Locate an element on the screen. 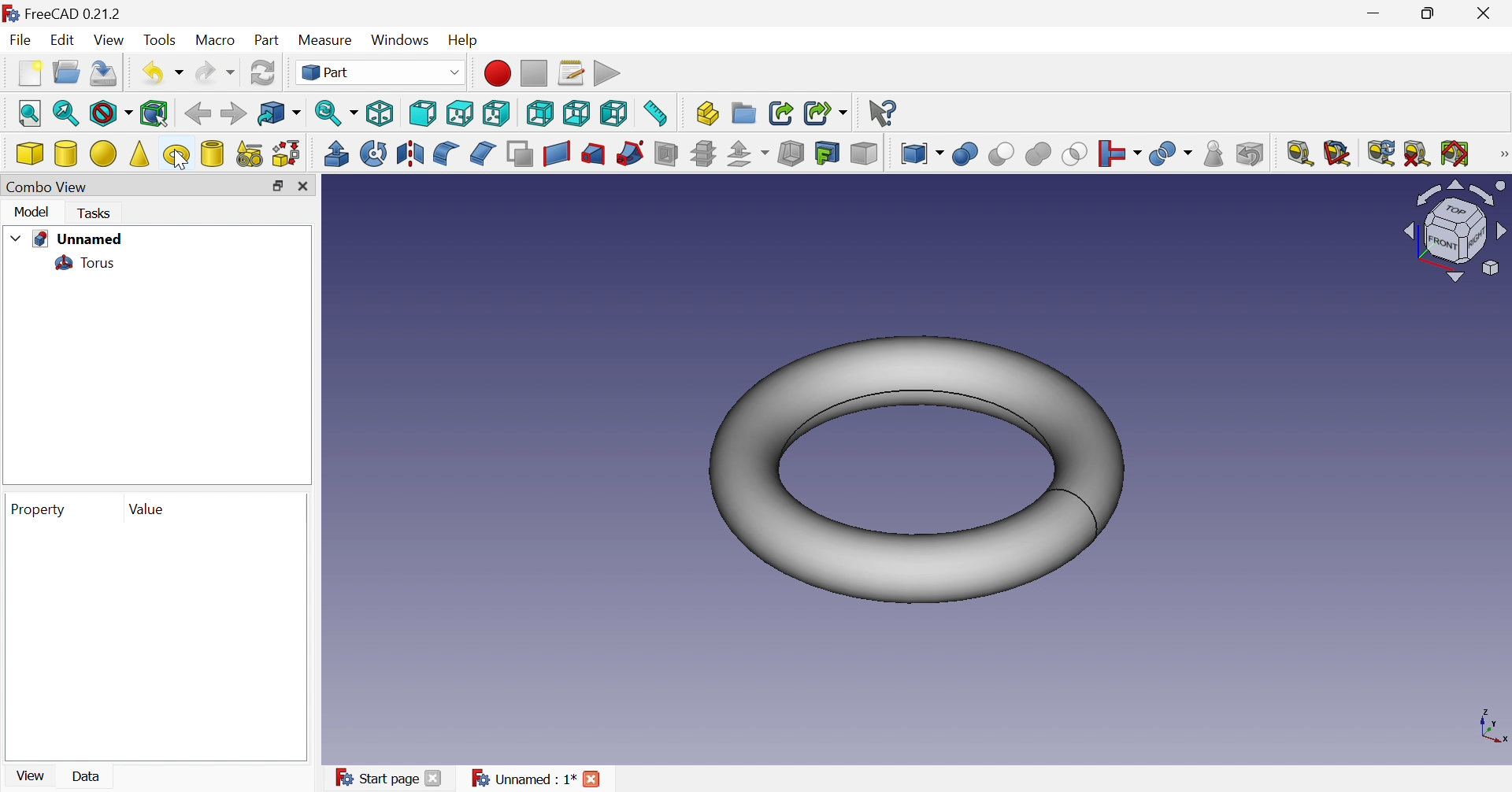 The width and height of the screenshot is (1512, 792). Defeaturing is located at coordinates (1248, 153).